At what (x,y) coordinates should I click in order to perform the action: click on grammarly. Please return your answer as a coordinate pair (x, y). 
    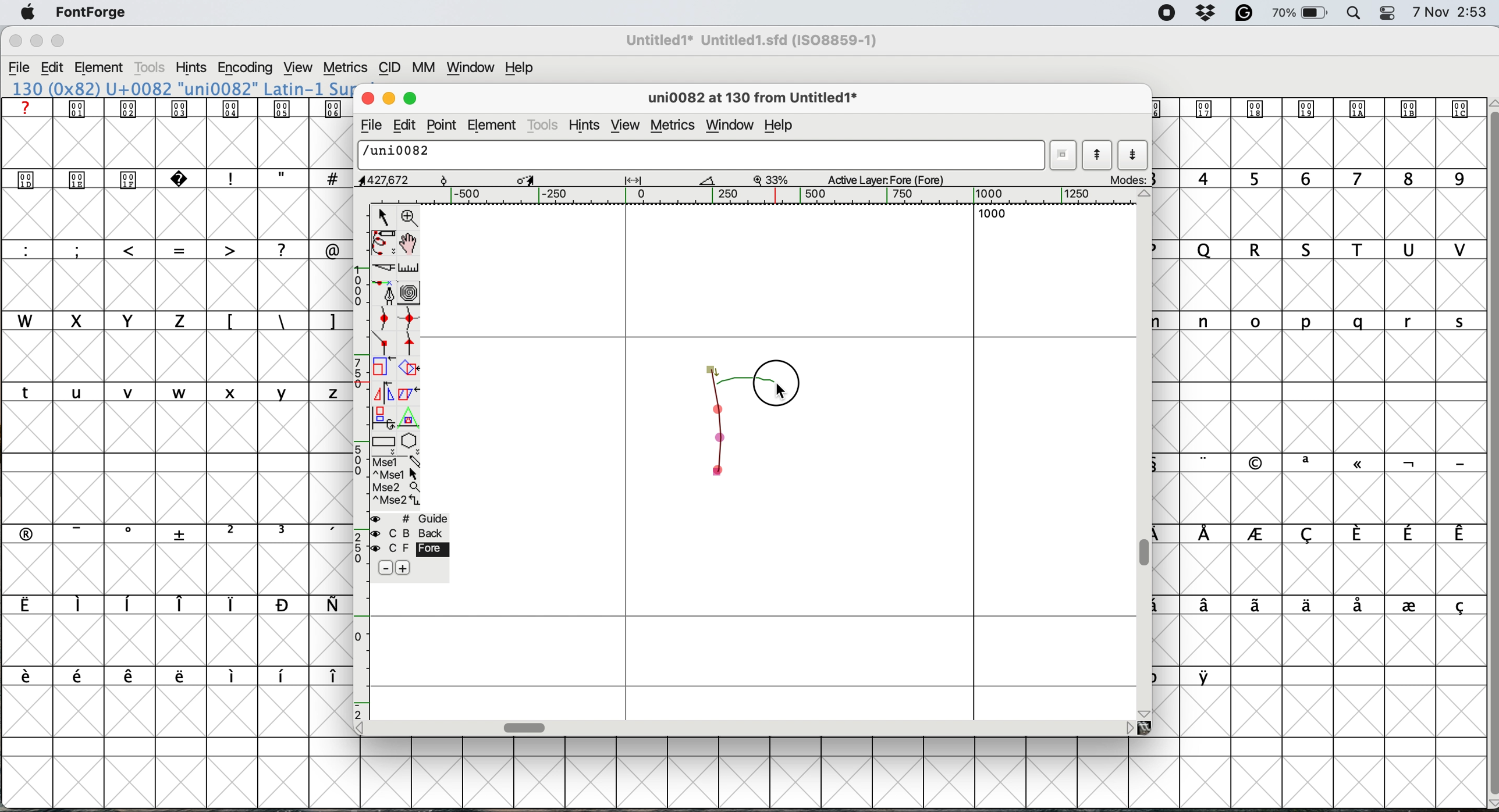
    Looking at the image, I should click on (1244, 13).